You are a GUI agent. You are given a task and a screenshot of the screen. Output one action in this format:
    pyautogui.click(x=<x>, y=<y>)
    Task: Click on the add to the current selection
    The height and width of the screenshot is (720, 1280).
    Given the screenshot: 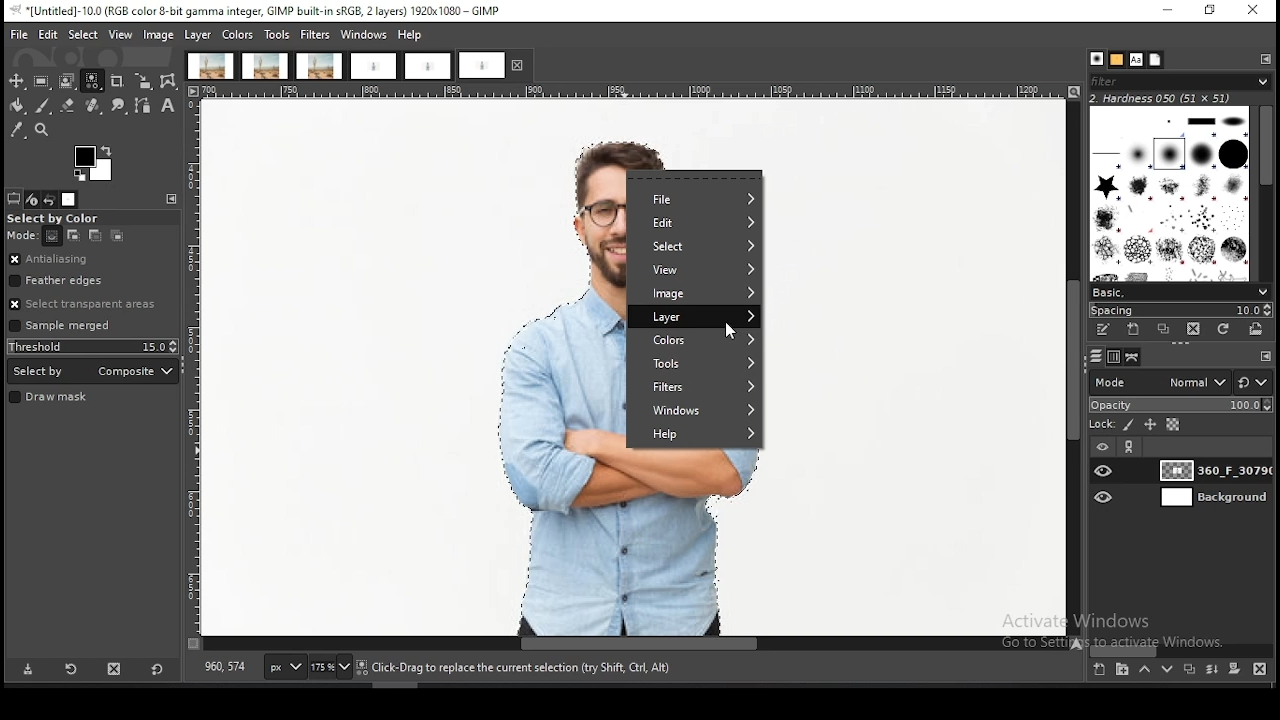 What is the action you would take?
    pyautogui.click(x=71, y=236)
    